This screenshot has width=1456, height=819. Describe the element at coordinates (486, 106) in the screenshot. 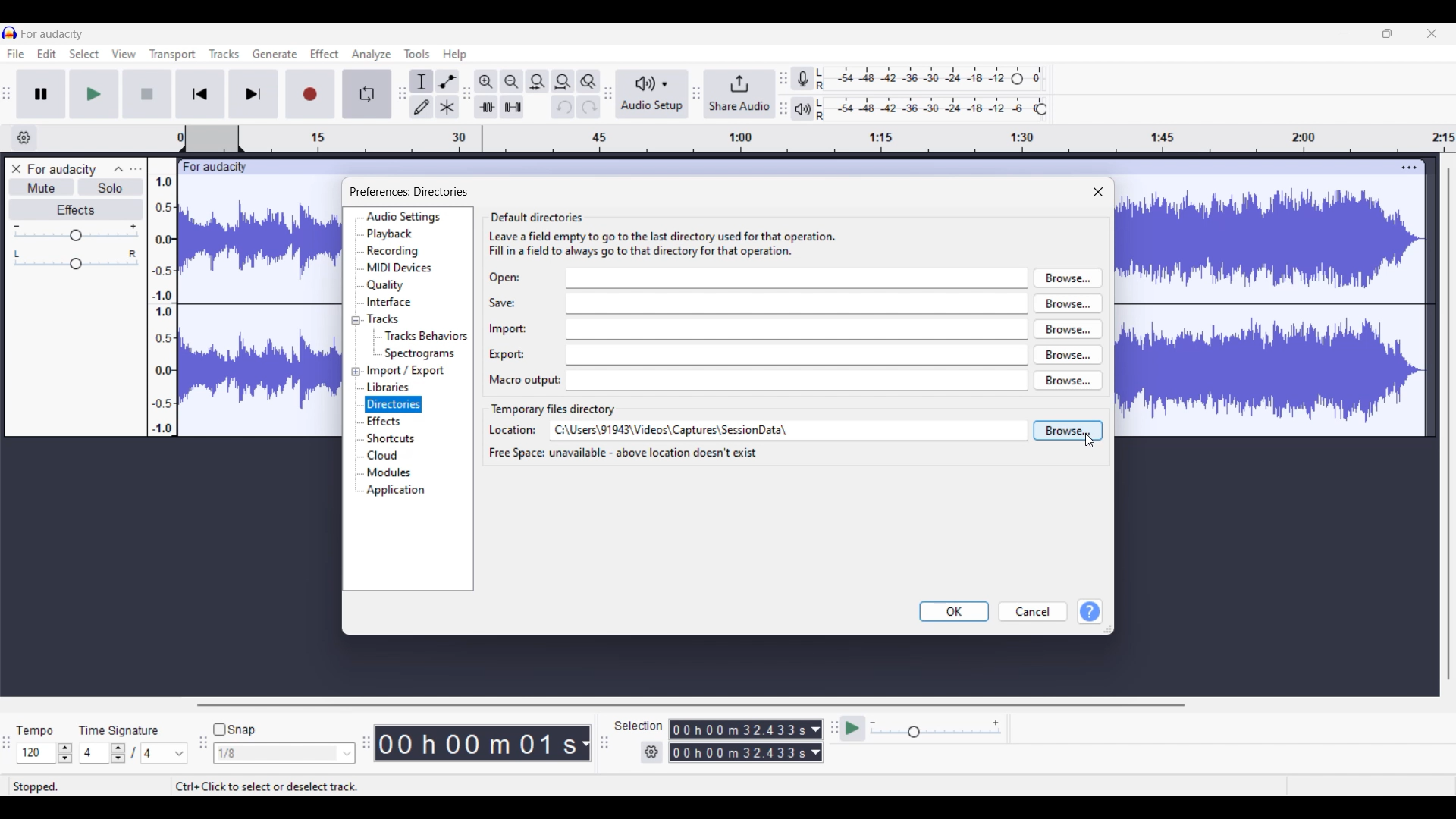

I see `Trim audio outside selection` at that location.